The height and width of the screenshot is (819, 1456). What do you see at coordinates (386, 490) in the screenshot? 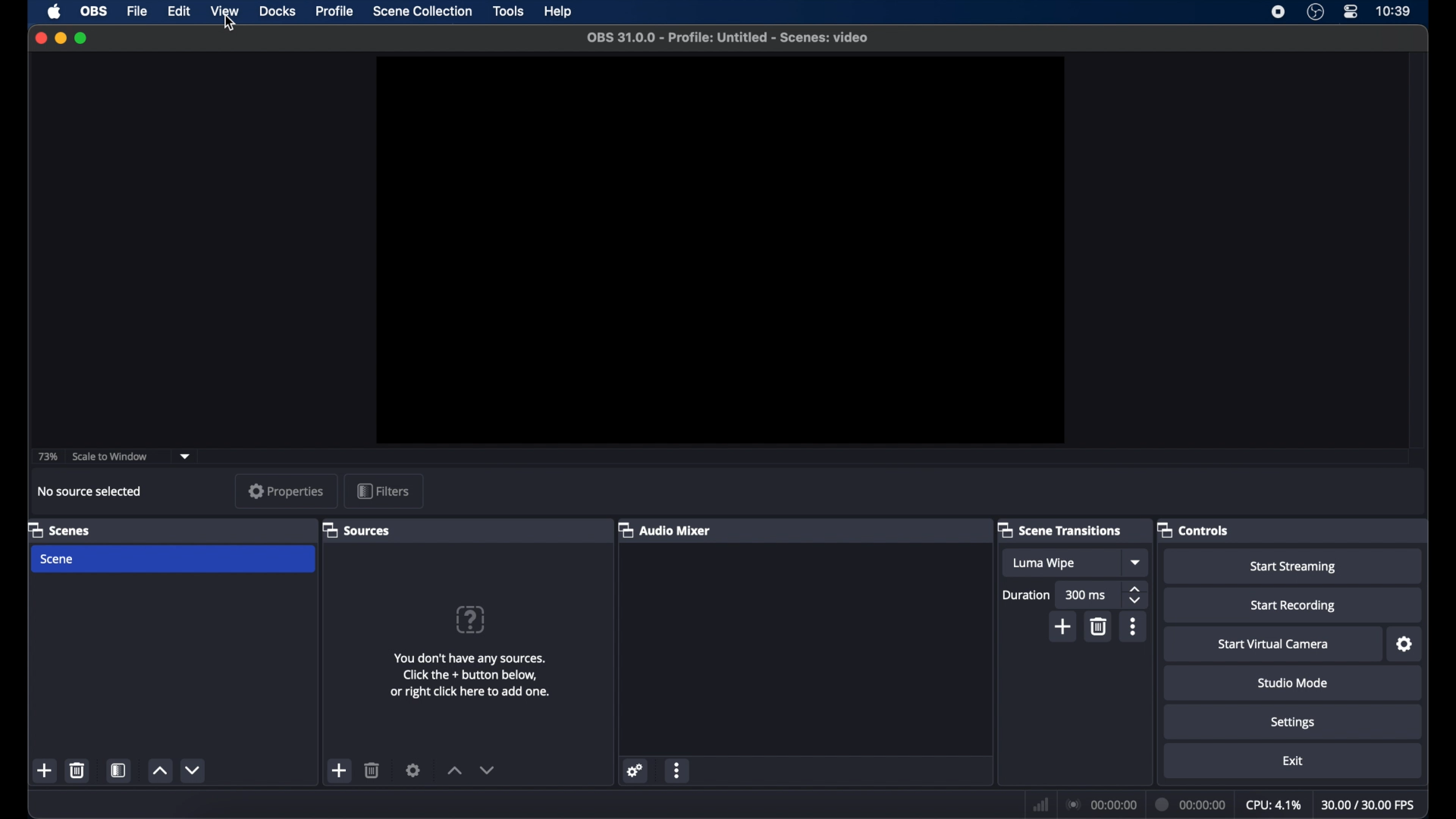
I see `filters` at bounding box center [386, 490].